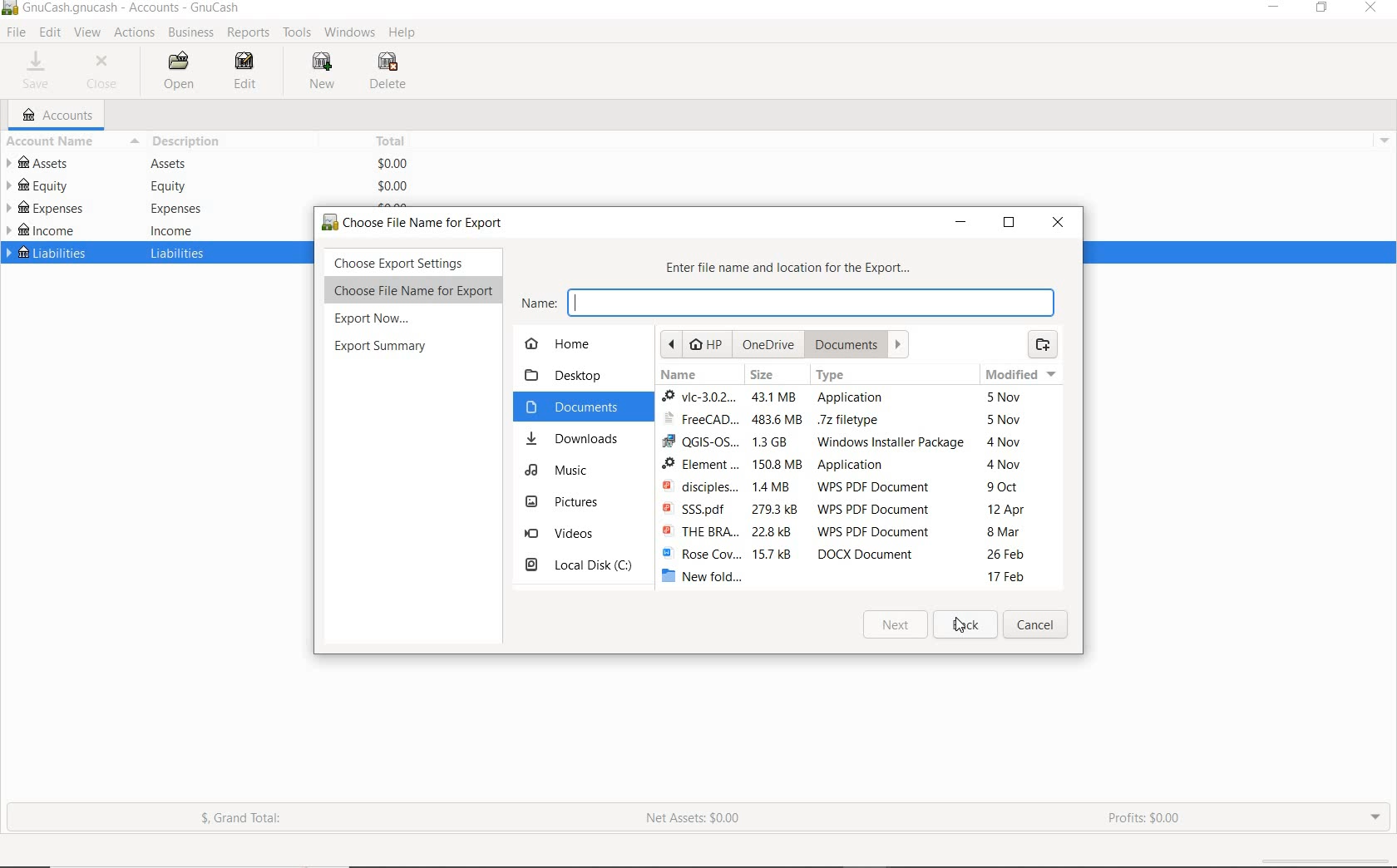 Image resolution: width=1397 pixels, height=868 pixels. What do you see at coordinates (182, 142) in the screenshot?
I see `DESCRIPTION` at bounding box center [182, 142].